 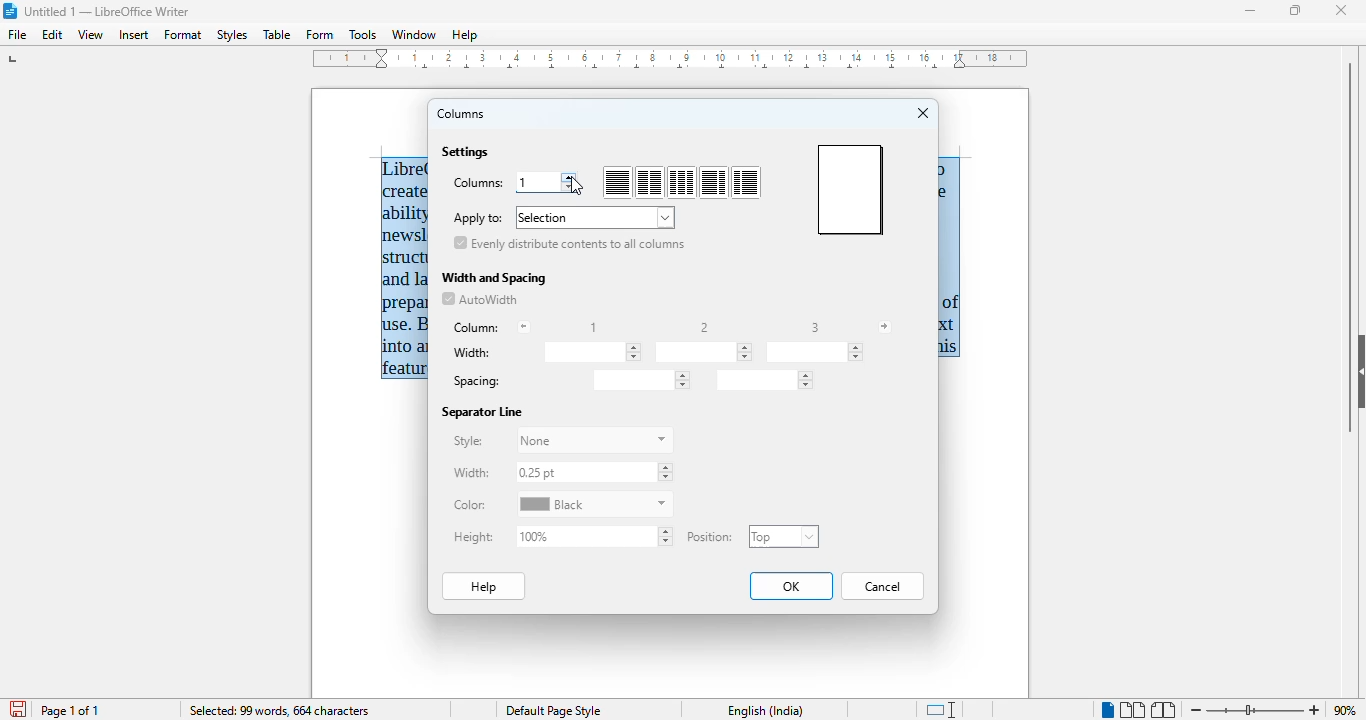 What do you see at coordinates (495, 279) in the screenshot?
I see `width and spacing` at bounding box center [495, 279].